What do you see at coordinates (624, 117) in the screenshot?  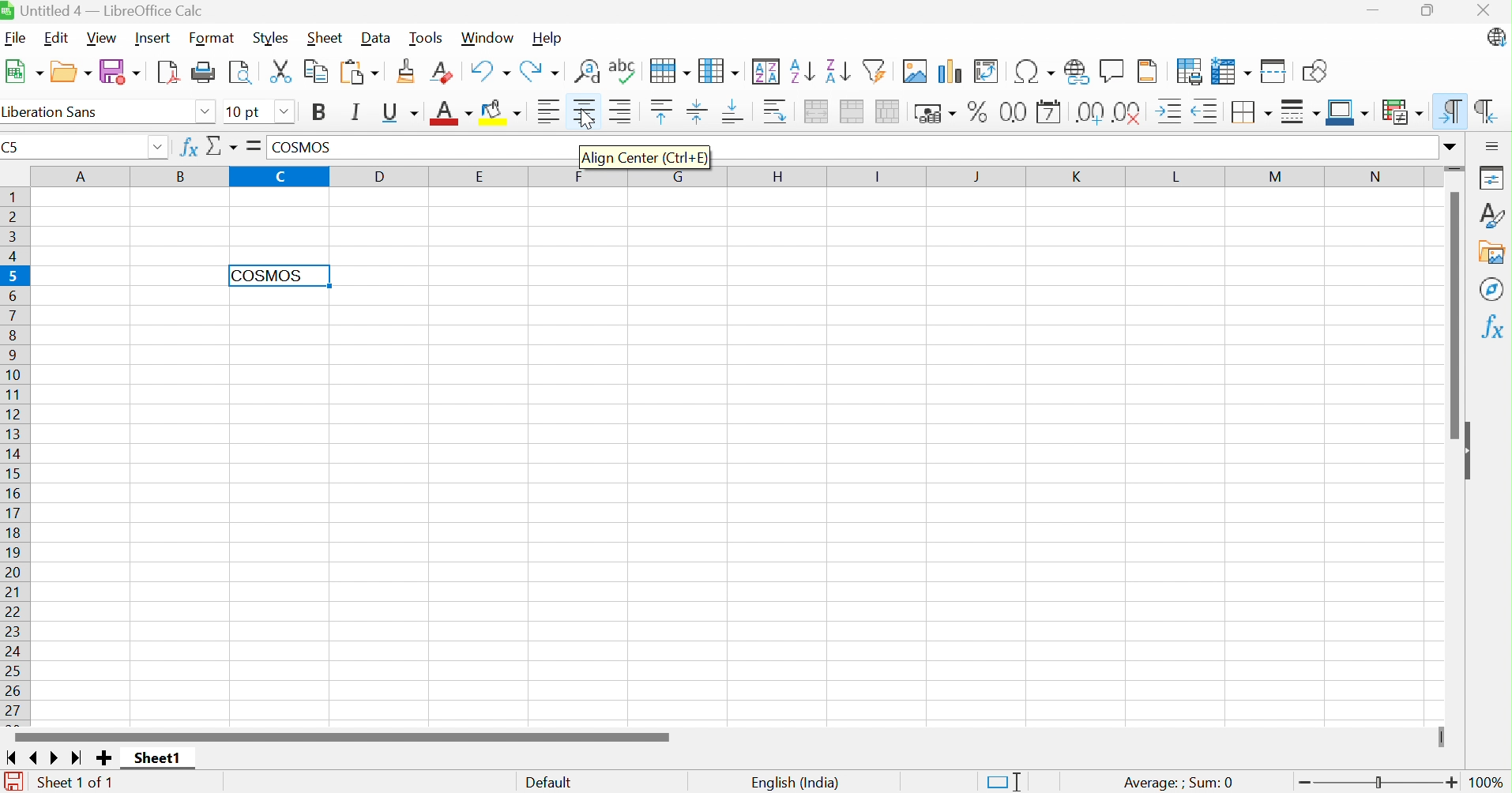 I see `Align Right` at bounding box center [624, 117].